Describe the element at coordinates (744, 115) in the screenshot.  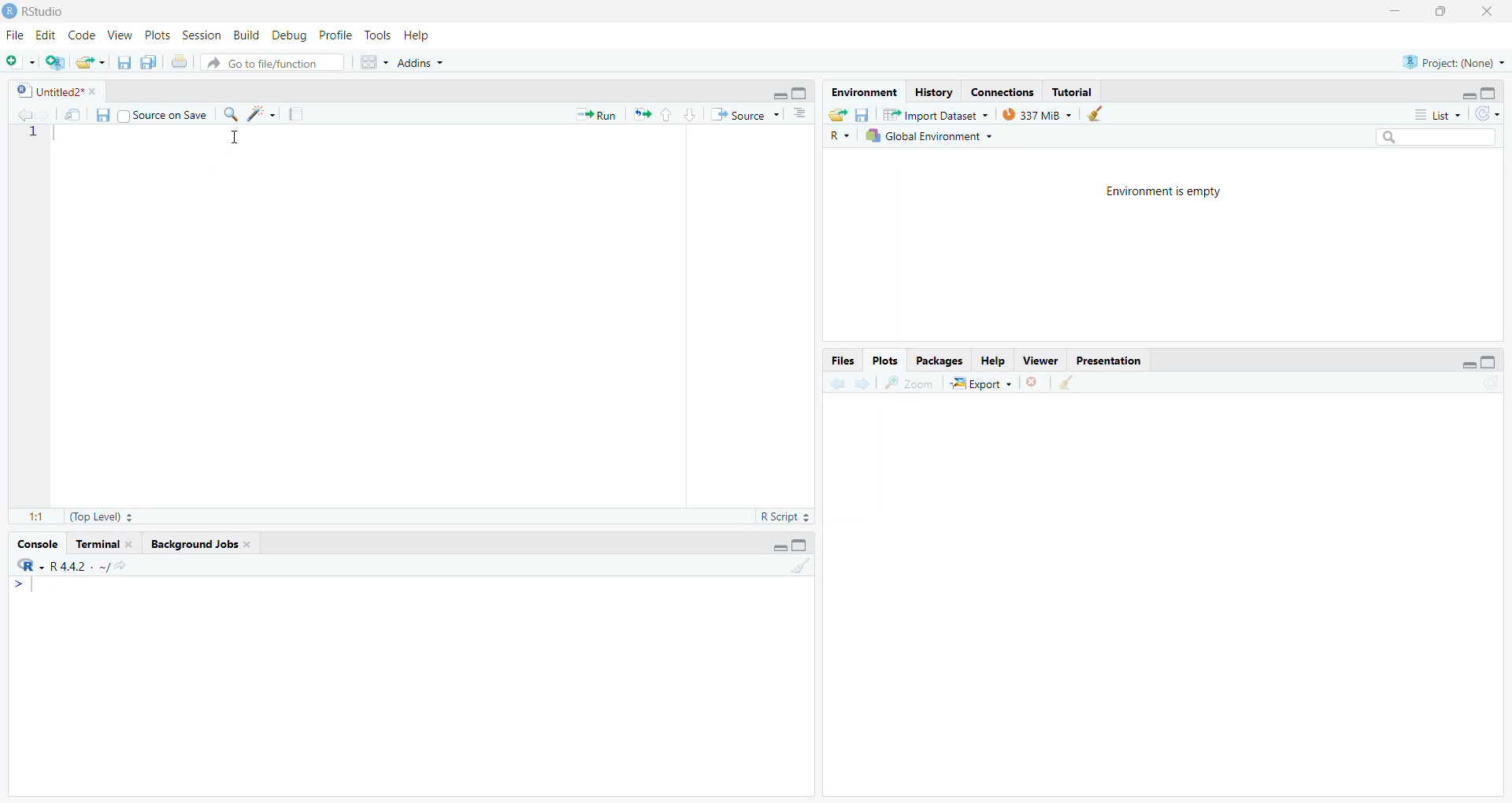
I see `Source ` at that location.